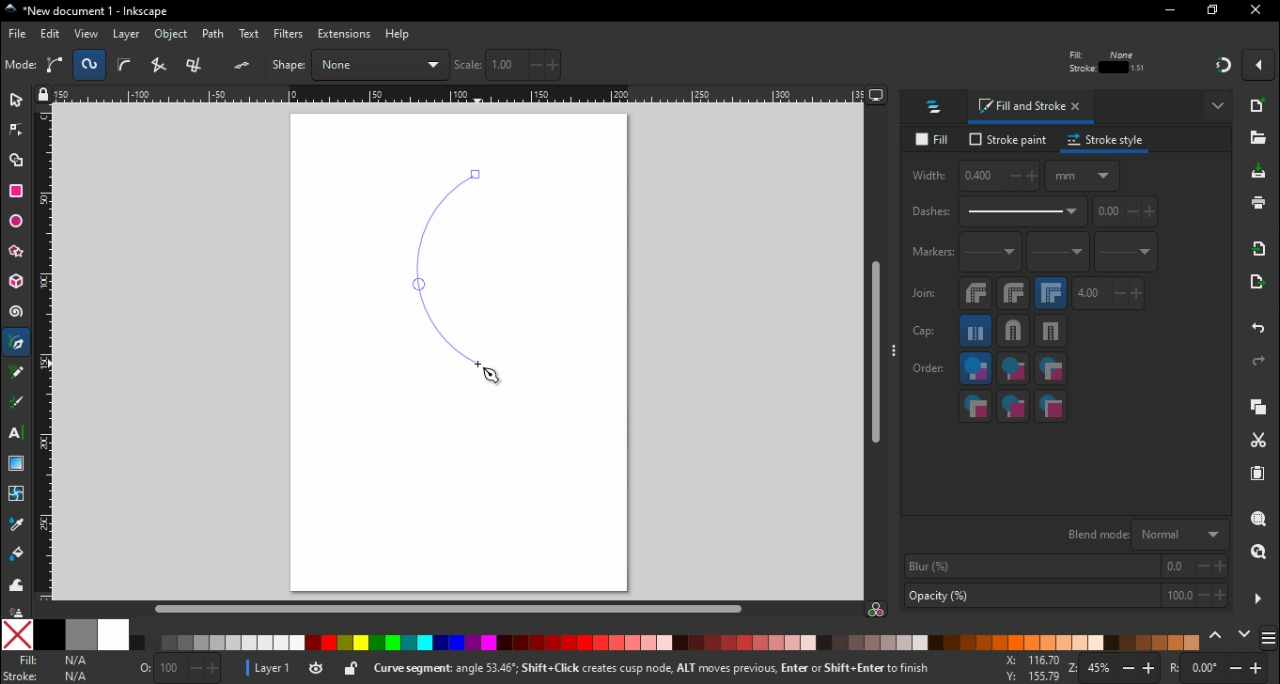 Image resolution: width=1280 pixels, height=684 pixels. I want to click on none, so click(16, 634).